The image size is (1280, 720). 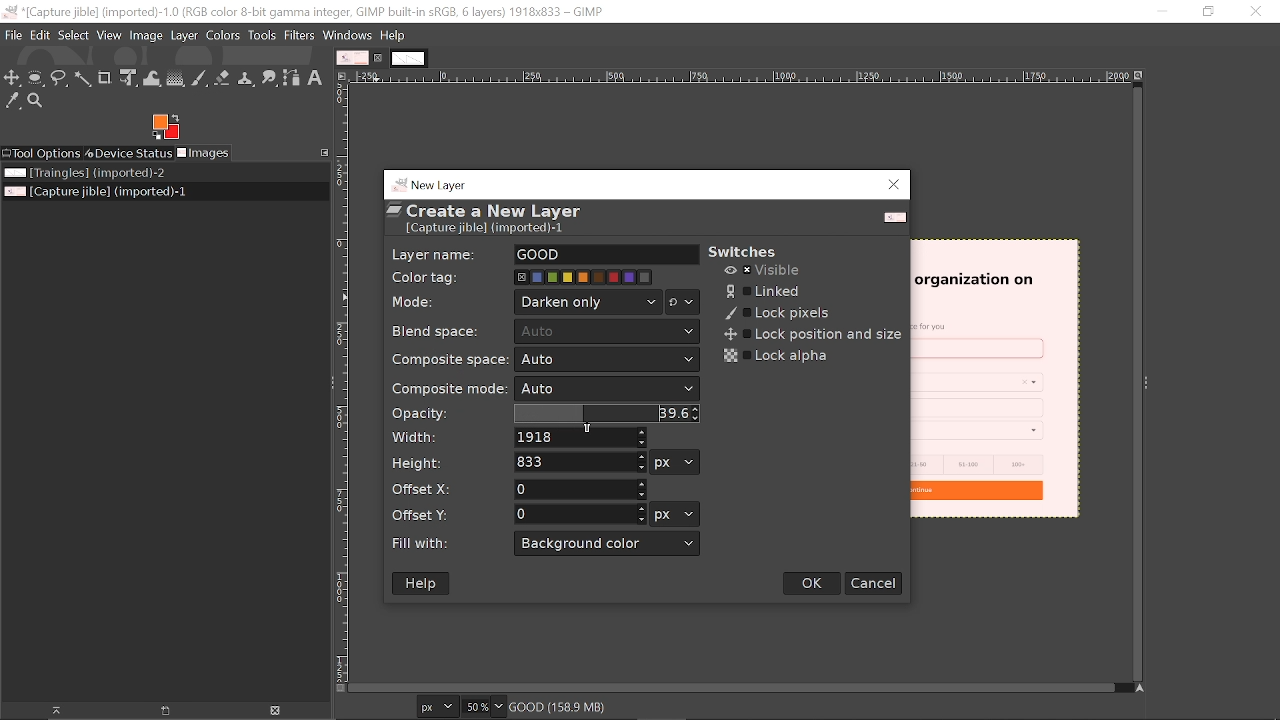 What do you see at coordinates (593, 429) in the screenshot?
I see `Cursor` at bounding box center [593, 429].